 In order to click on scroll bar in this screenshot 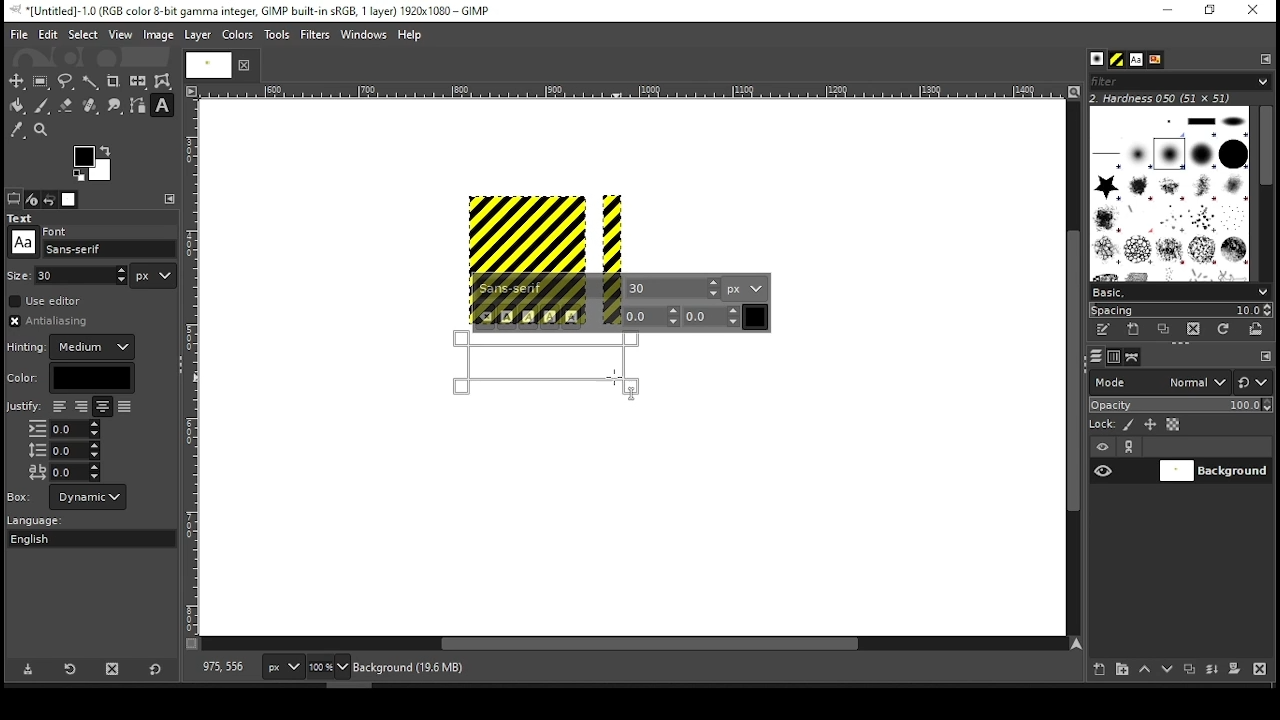, I will do `click(634, 645)`.